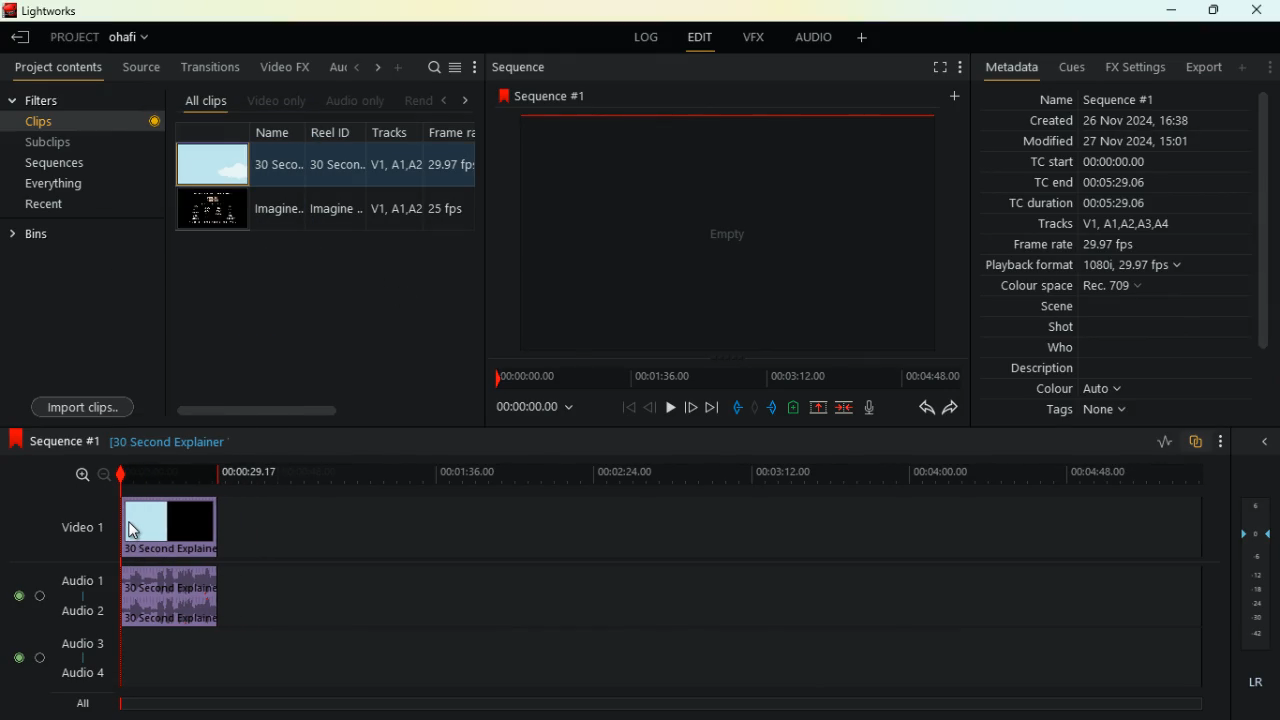  I want to click on rend, so click(420, 101).